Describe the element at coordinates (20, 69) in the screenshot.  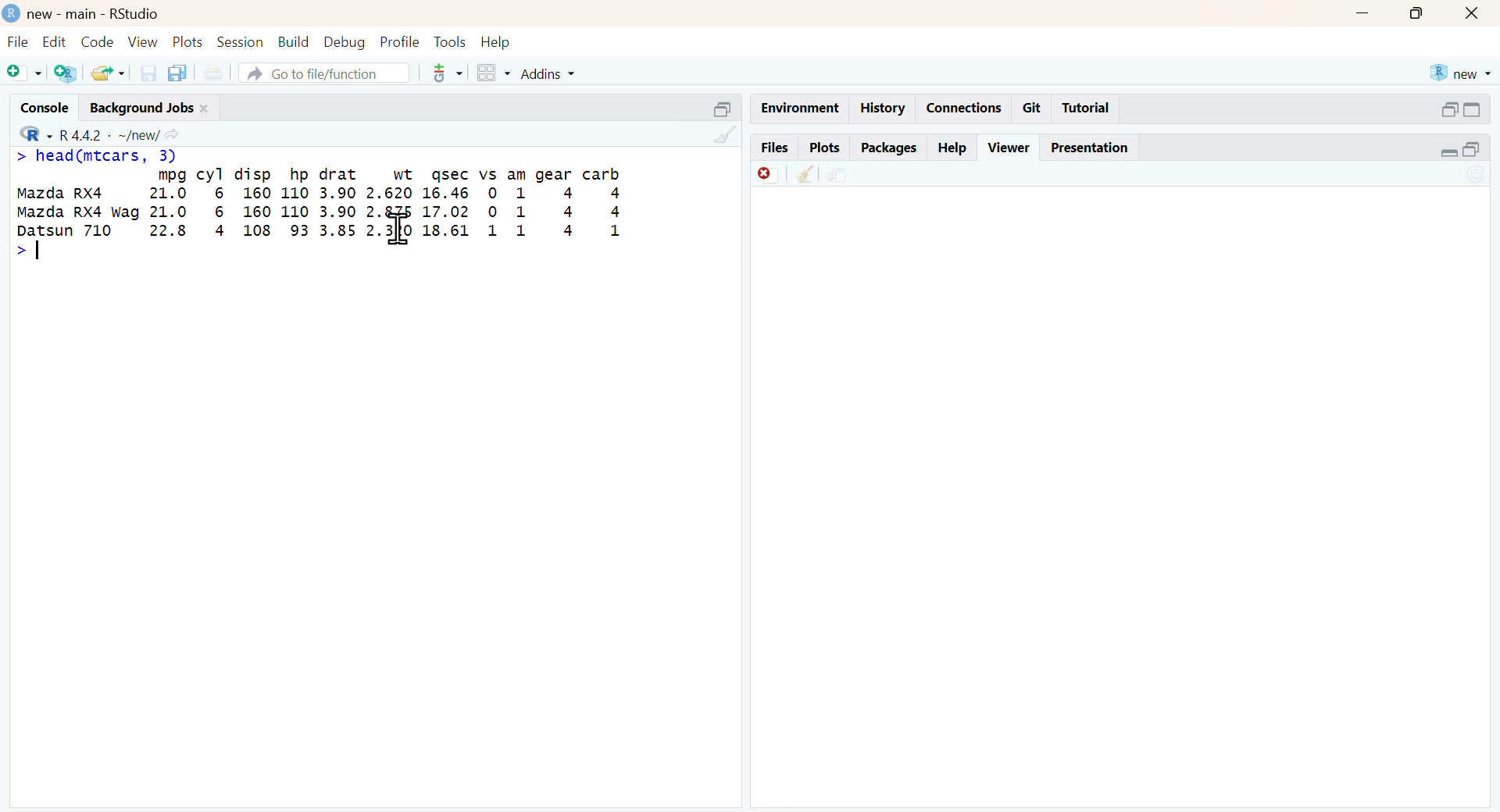
I see `New file` at that location.